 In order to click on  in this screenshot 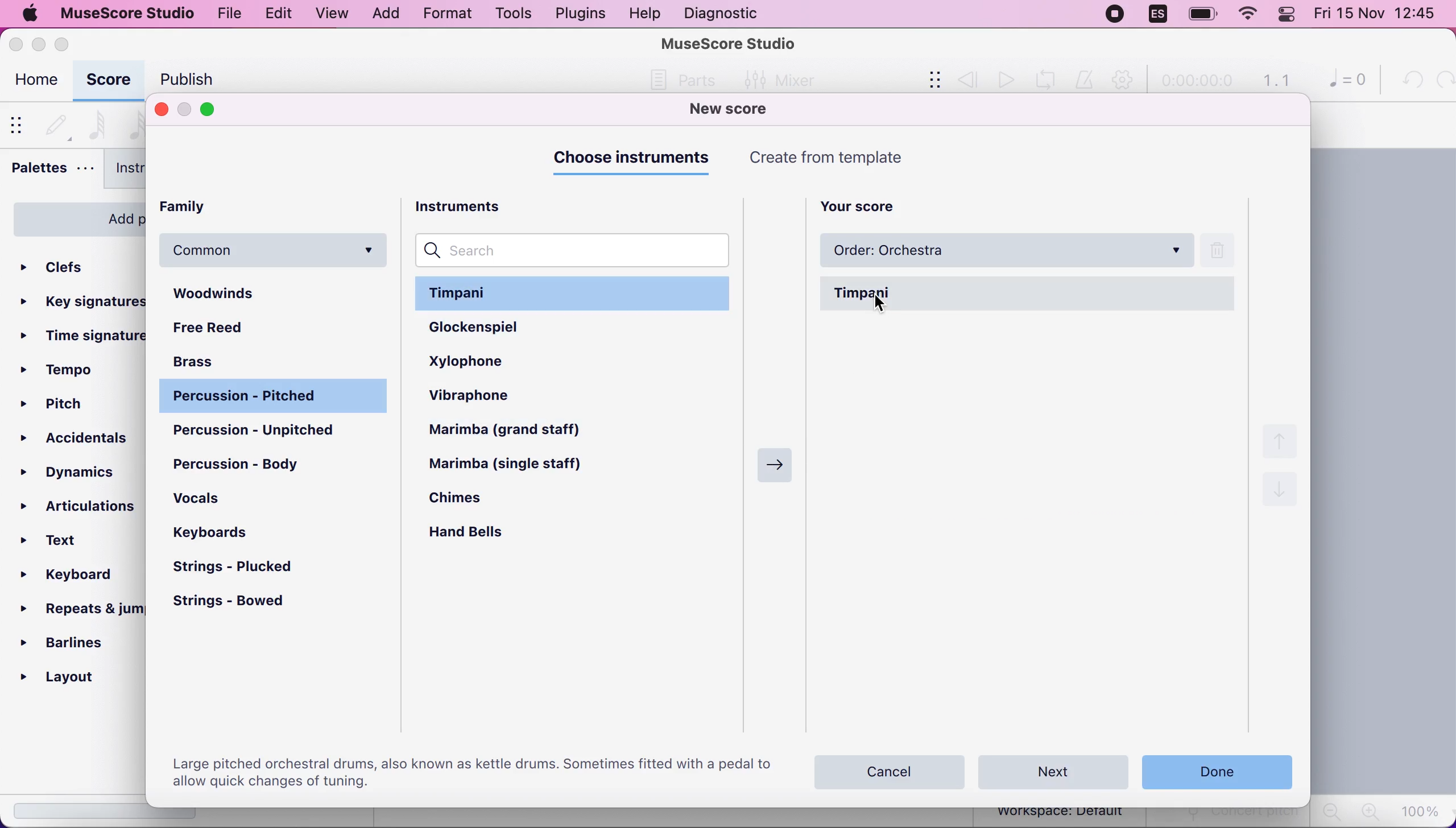, I will do `click(689, 80)`.